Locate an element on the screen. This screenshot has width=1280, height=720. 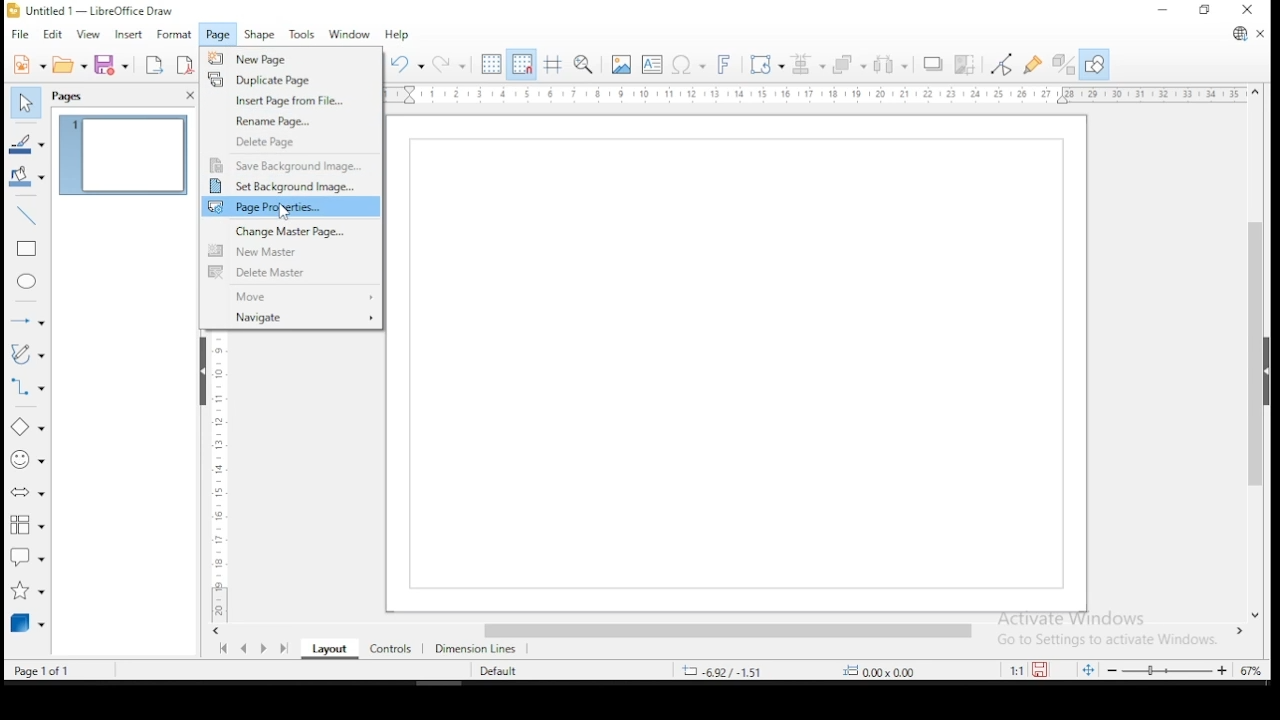
close pane is located at coordinates (186, 96).